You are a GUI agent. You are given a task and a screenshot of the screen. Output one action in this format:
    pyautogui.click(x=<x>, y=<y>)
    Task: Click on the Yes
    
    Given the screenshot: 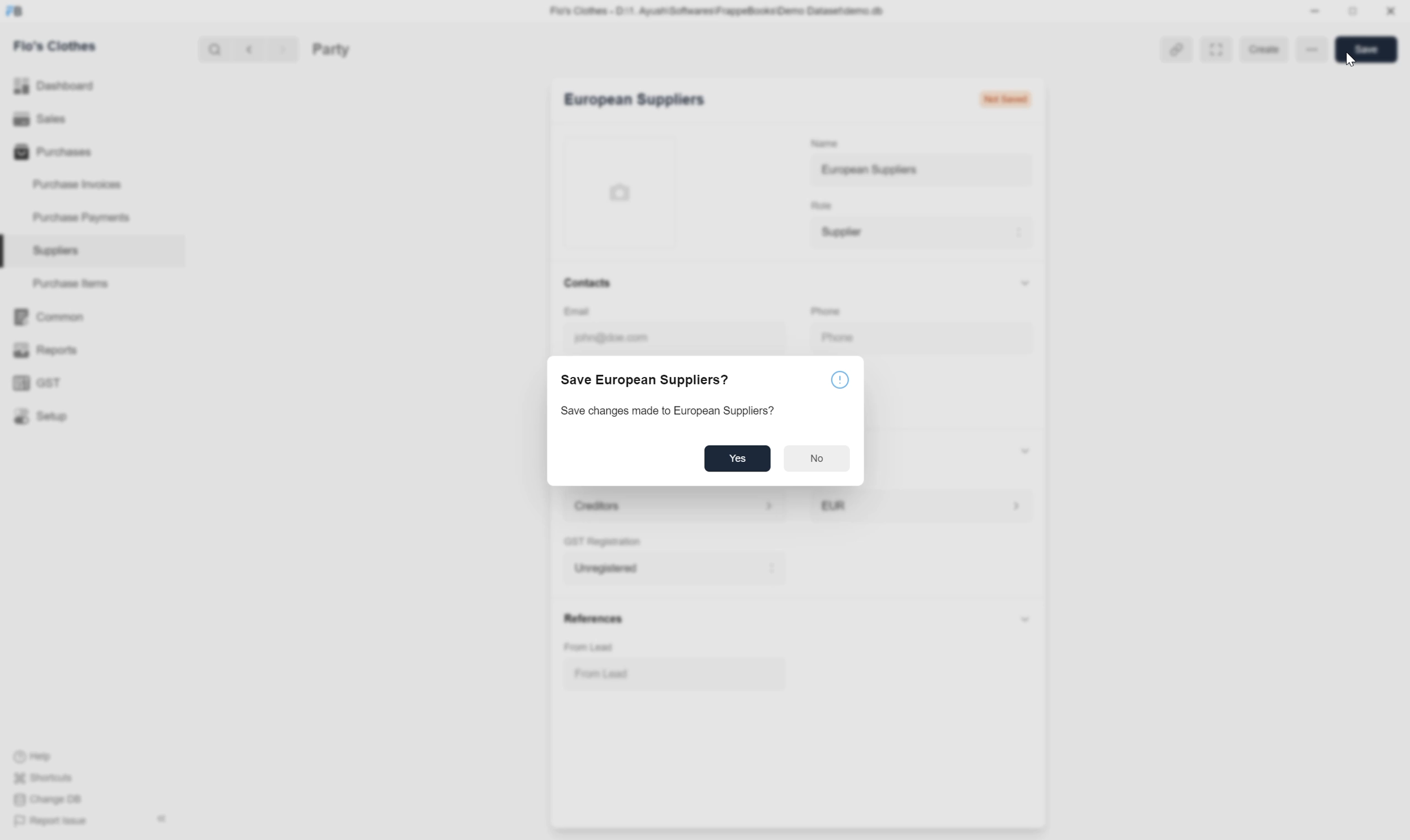 What is the action you would take?
    pyautogui.click(x=737, y=456)
    